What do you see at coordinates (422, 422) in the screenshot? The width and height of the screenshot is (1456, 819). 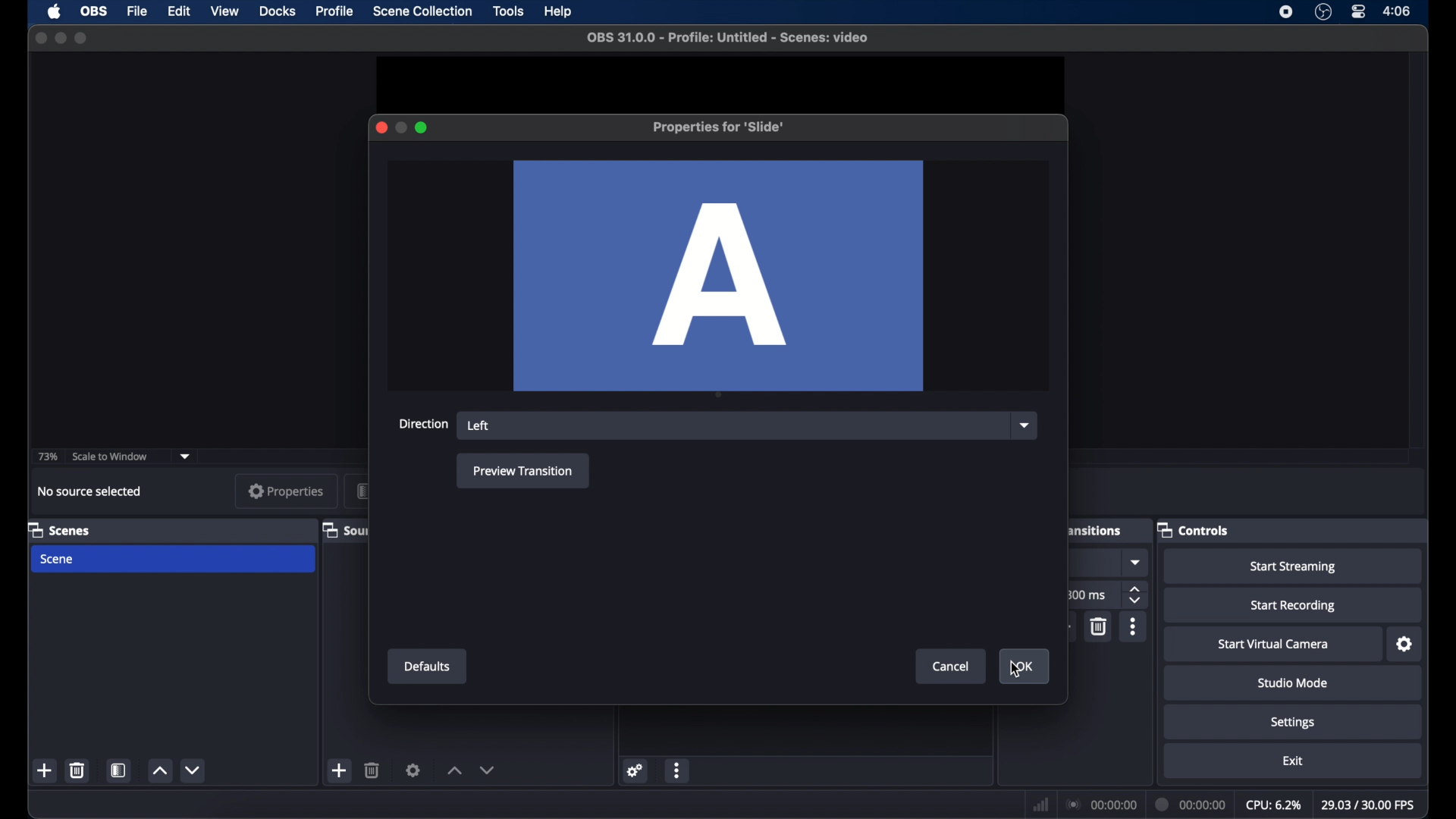 I see `direction` at bounding box center [422, 422].